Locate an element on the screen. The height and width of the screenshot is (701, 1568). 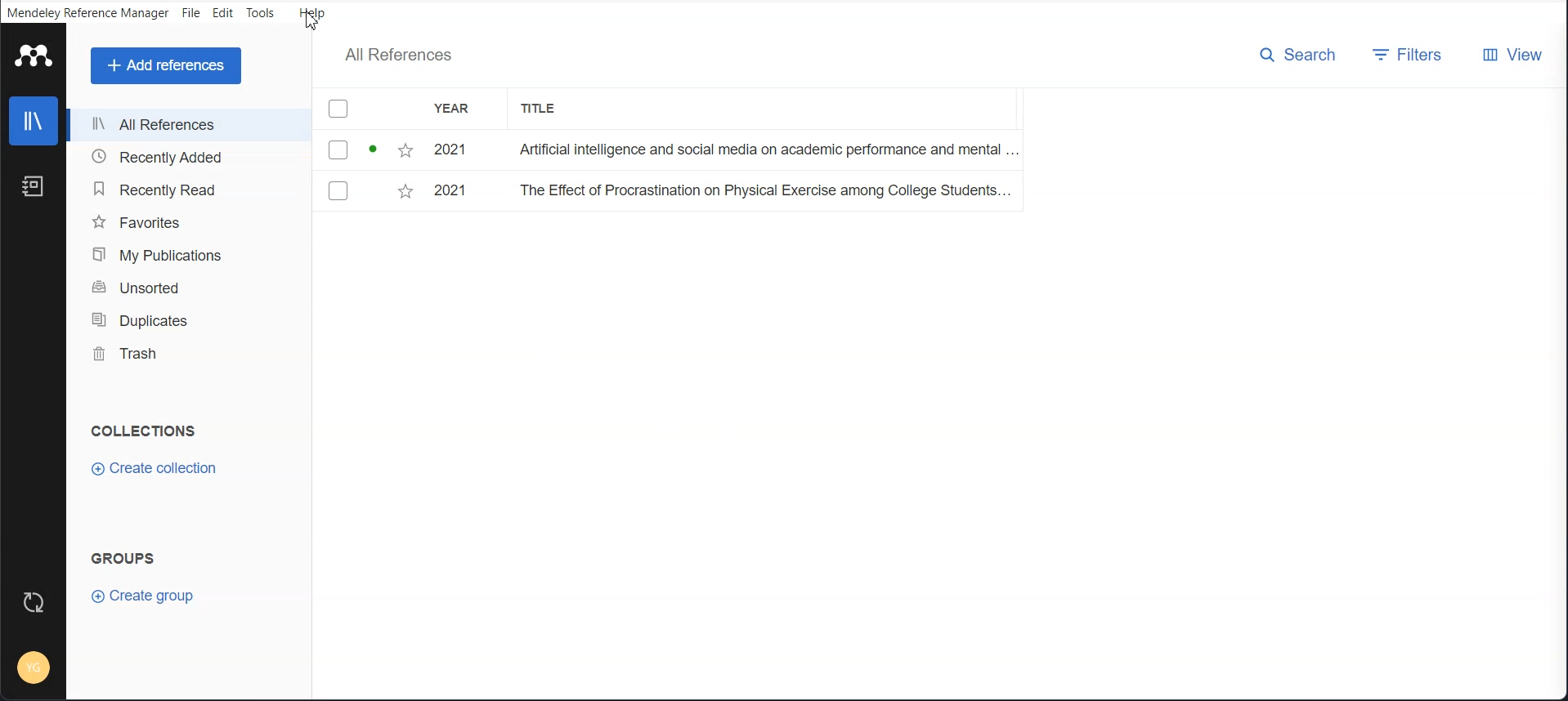
Checkmarks is located at coordinates (338, 109).